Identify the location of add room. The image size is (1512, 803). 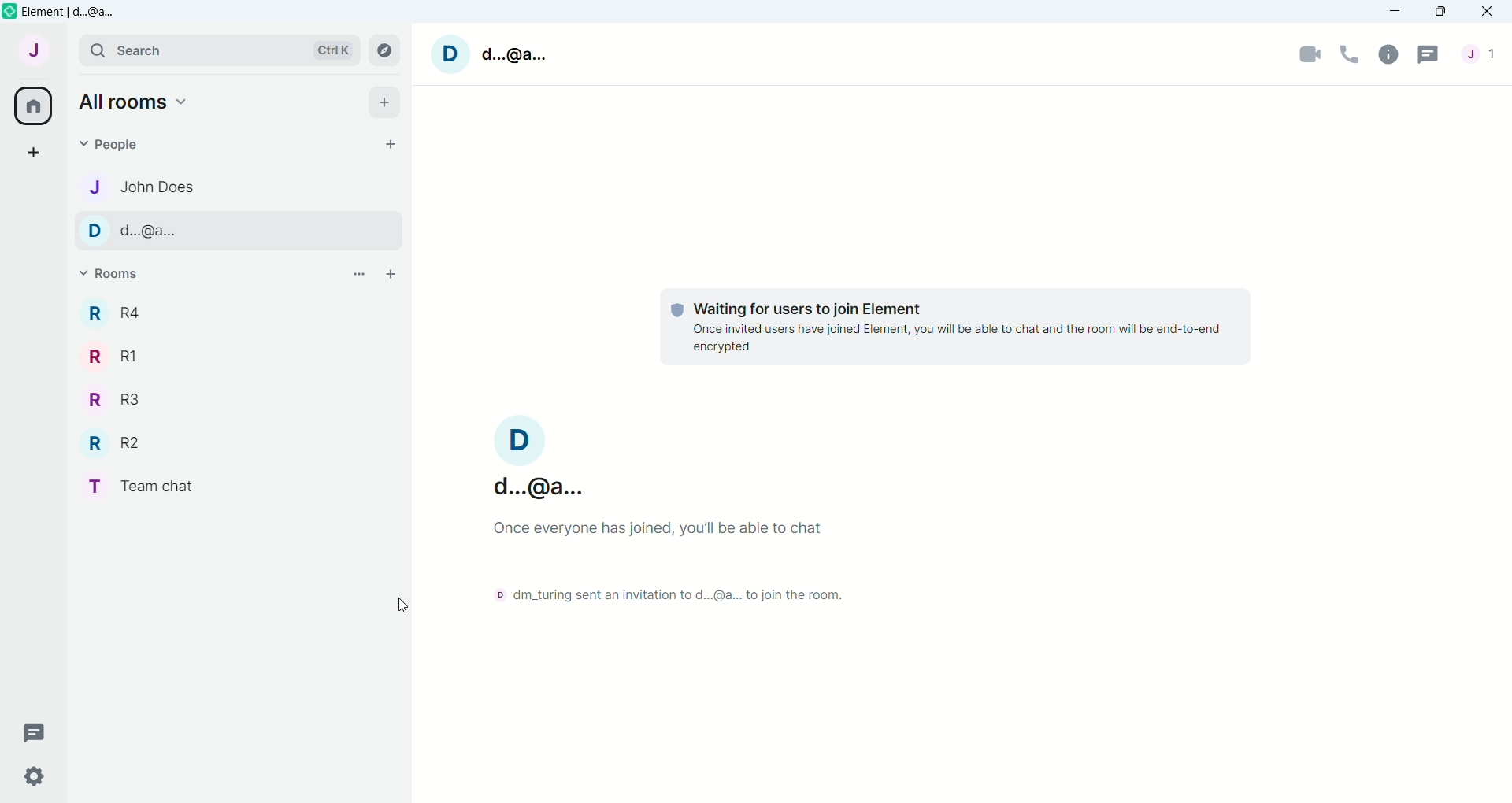
(391, 275).